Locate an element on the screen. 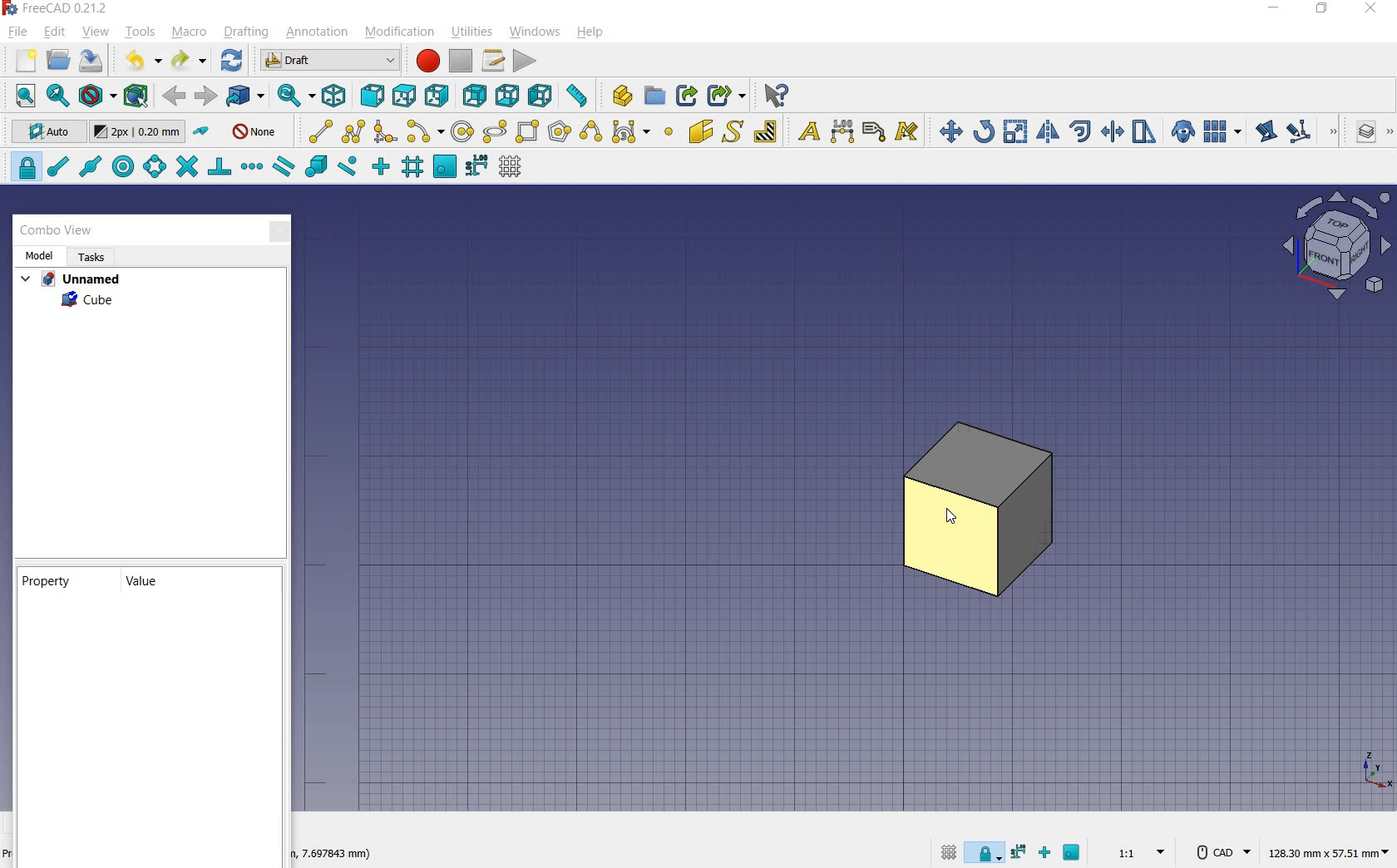 The width and height of the screenshot is (1397, 868). move is located at coordinates (947, 131).